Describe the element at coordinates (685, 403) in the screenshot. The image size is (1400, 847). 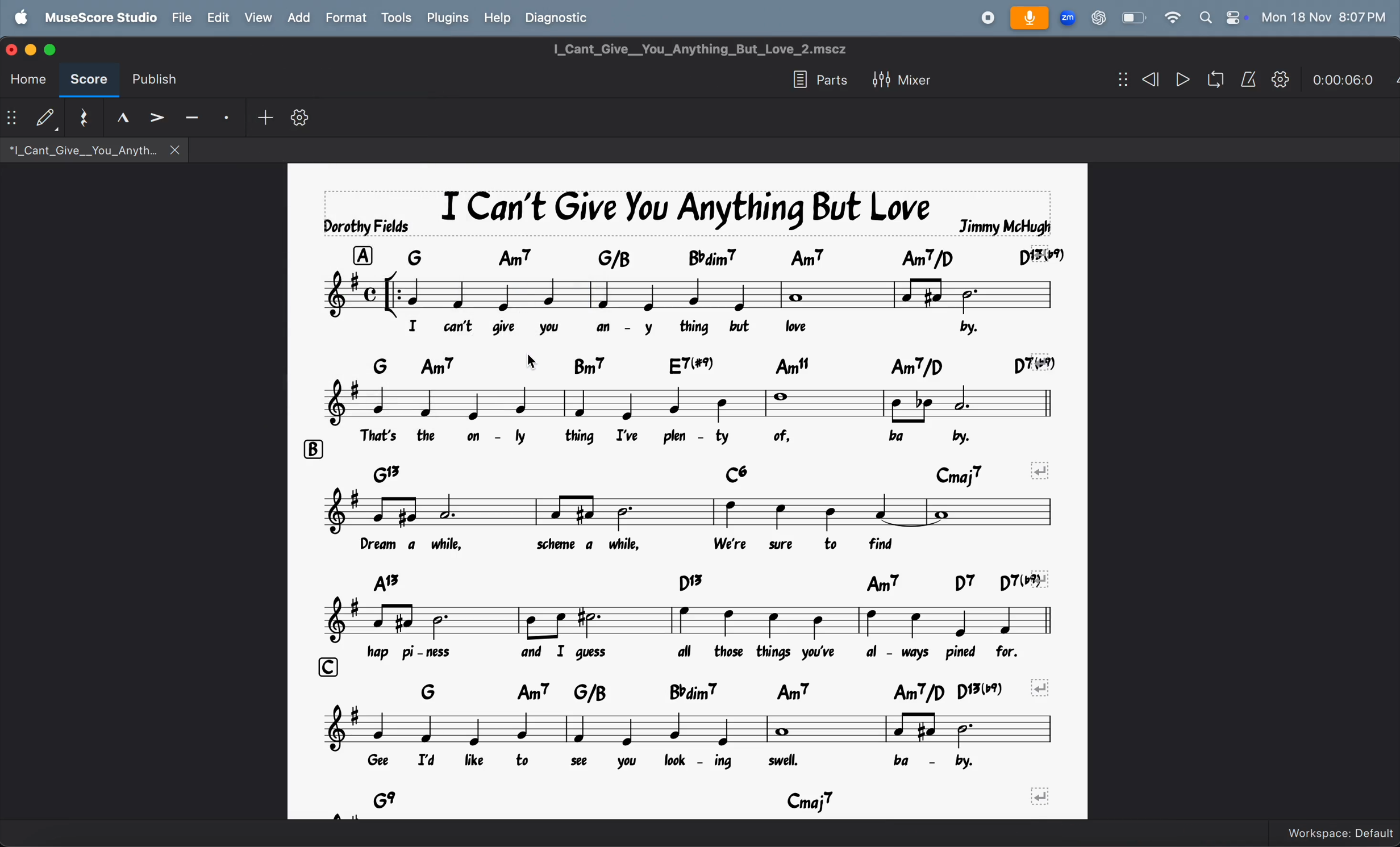
I see `note` at that location.